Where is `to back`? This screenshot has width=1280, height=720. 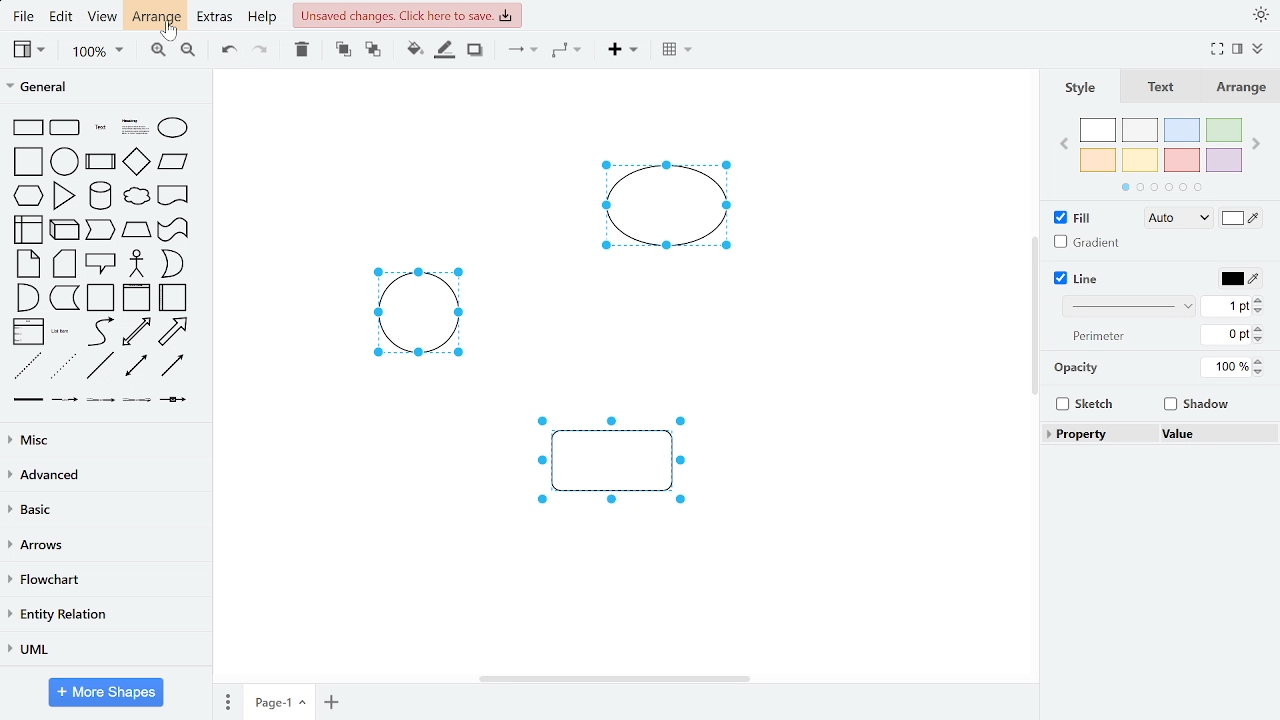 to back is located at coordinates (370, 50).